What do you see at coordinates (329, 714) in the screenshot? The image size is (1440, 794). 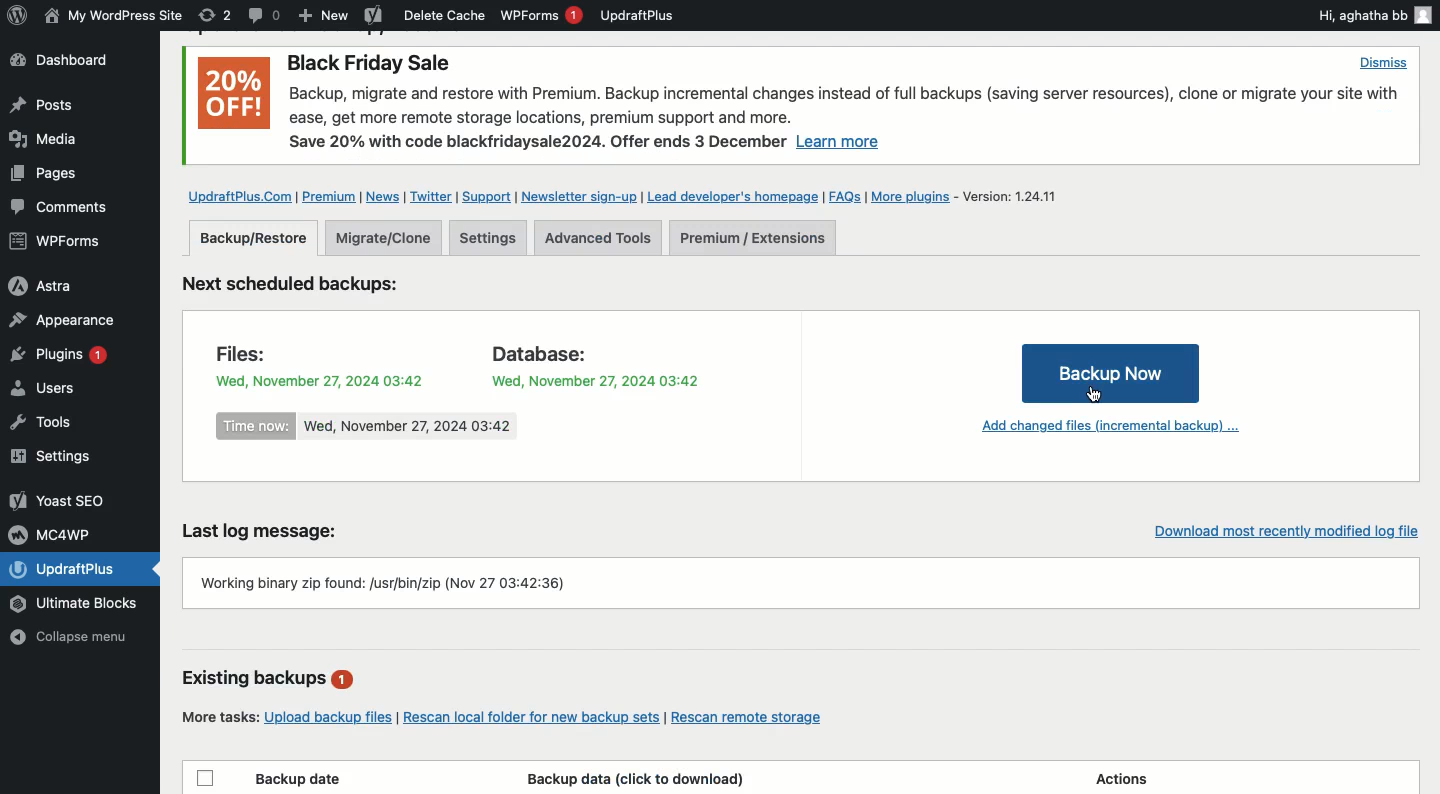 I see `Upload backup files` at bounding box center [329, 714].